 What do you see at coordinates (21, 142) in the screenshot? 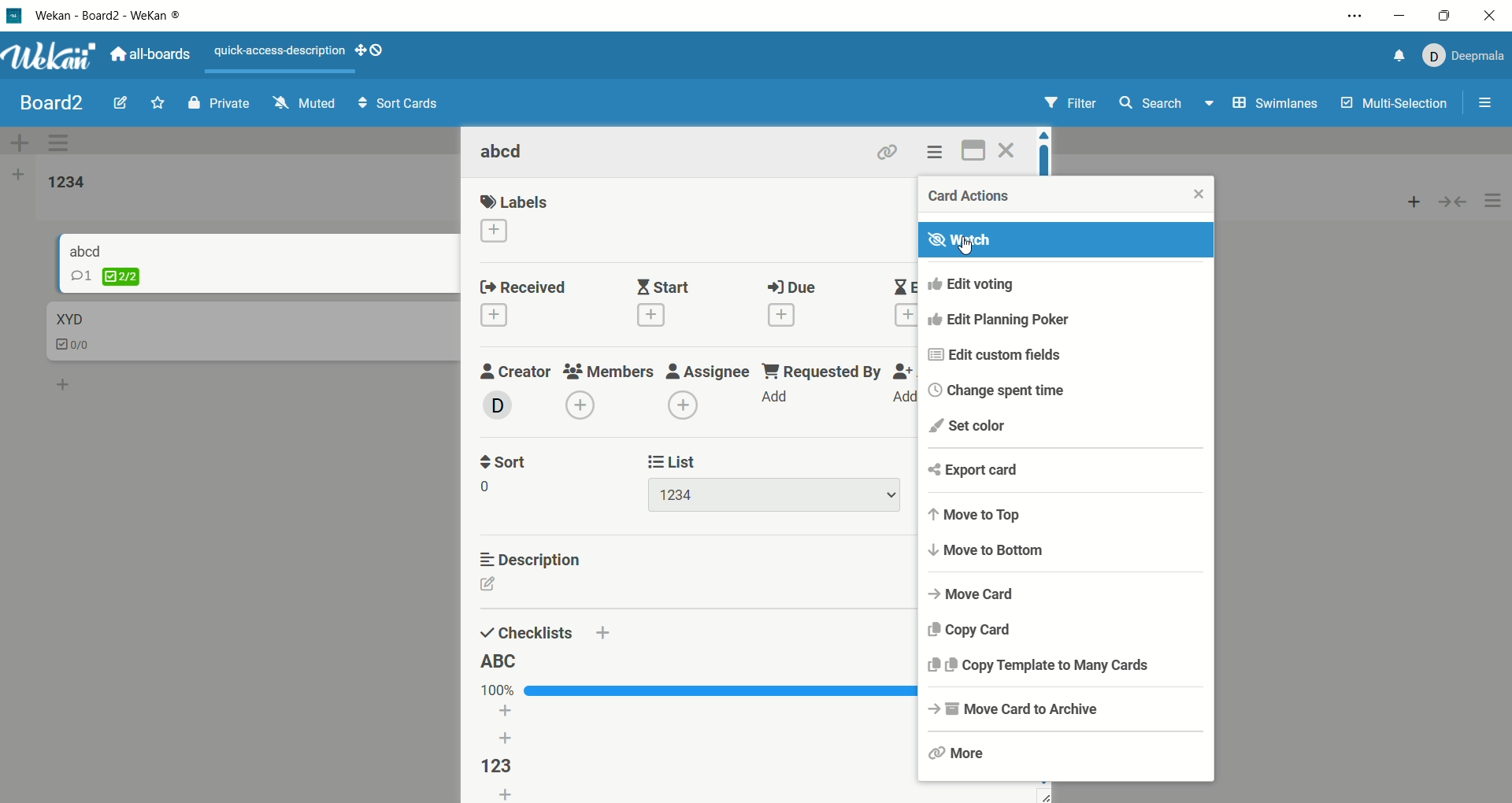
I see `add swimlane` at bounding box center [21, 142].